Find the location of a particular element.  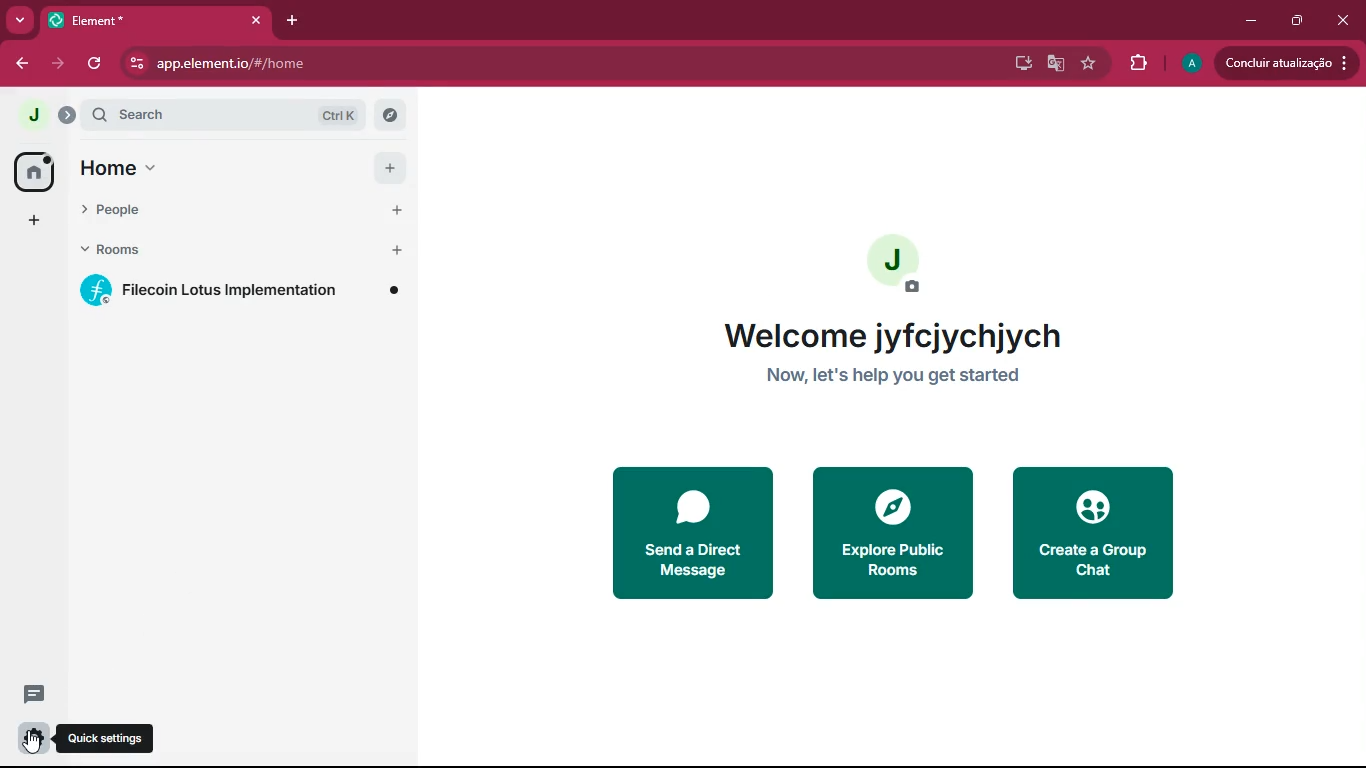

explore rooms is located at coordinates (390, 115).